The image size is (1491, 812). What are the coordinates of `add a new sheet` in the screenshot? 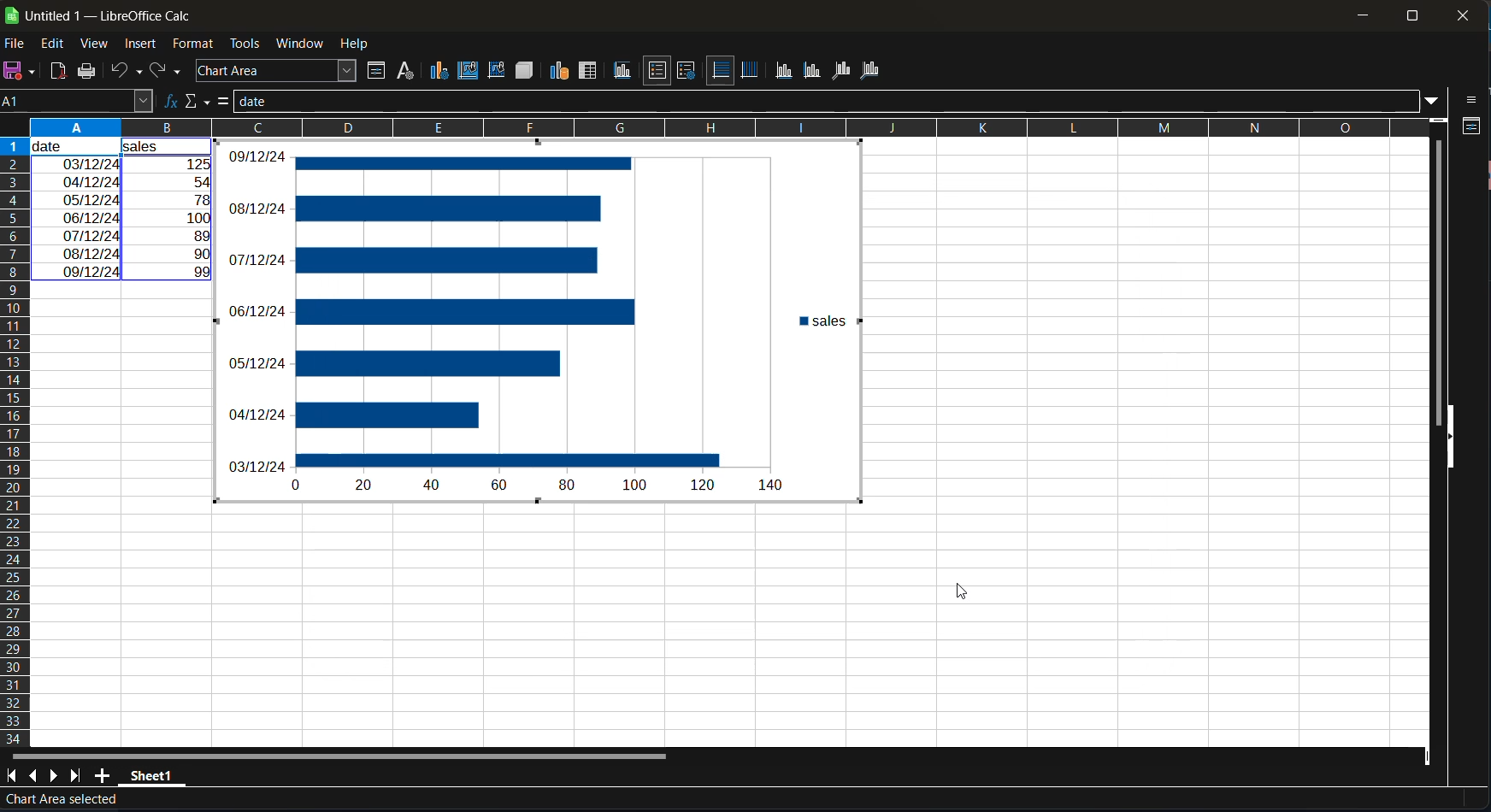 It's located at (102, 775).